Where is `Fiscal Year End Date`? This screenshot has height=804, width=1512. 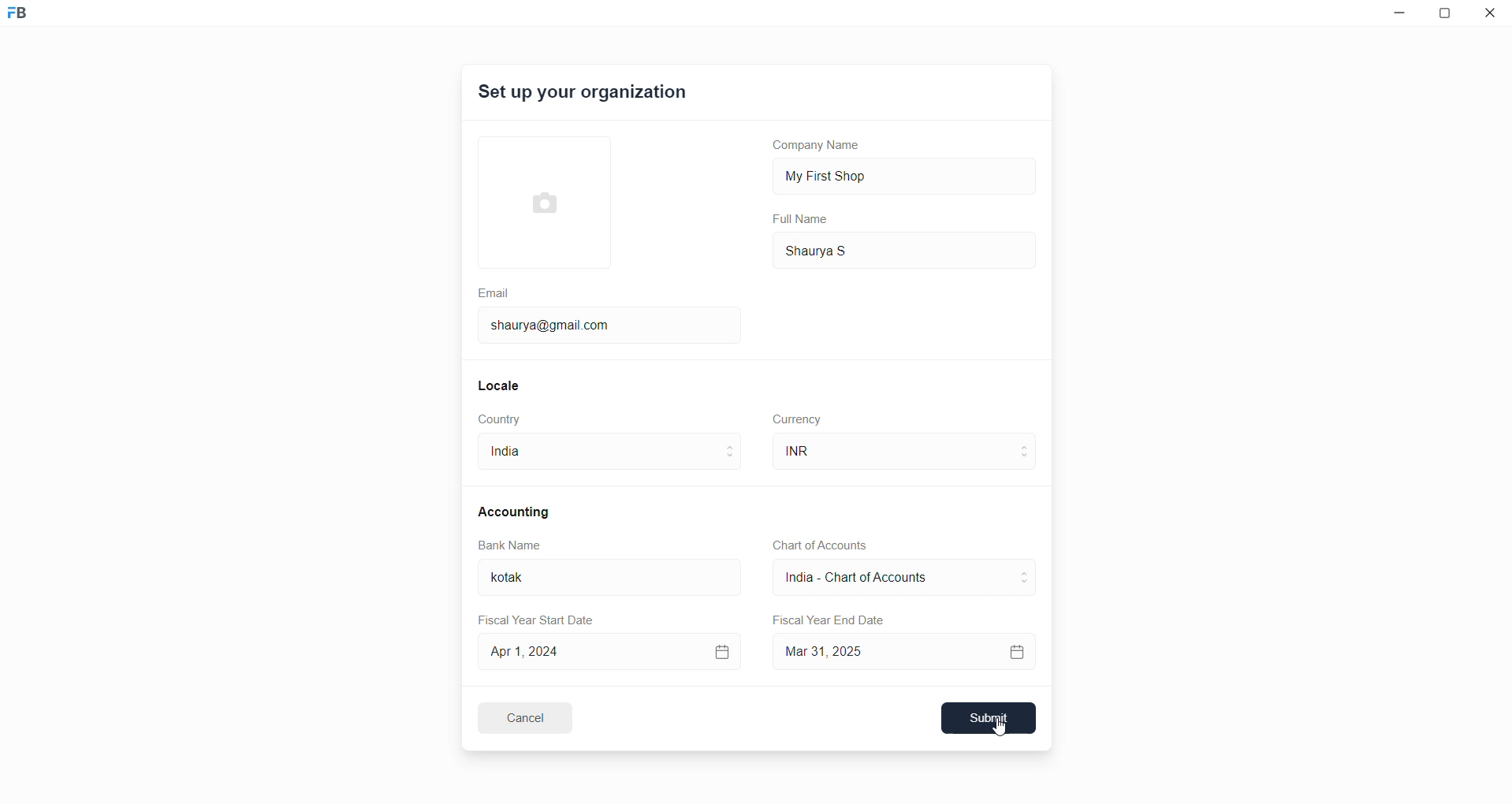
Fiscal Year End Date is located at coordinates (830, 620).